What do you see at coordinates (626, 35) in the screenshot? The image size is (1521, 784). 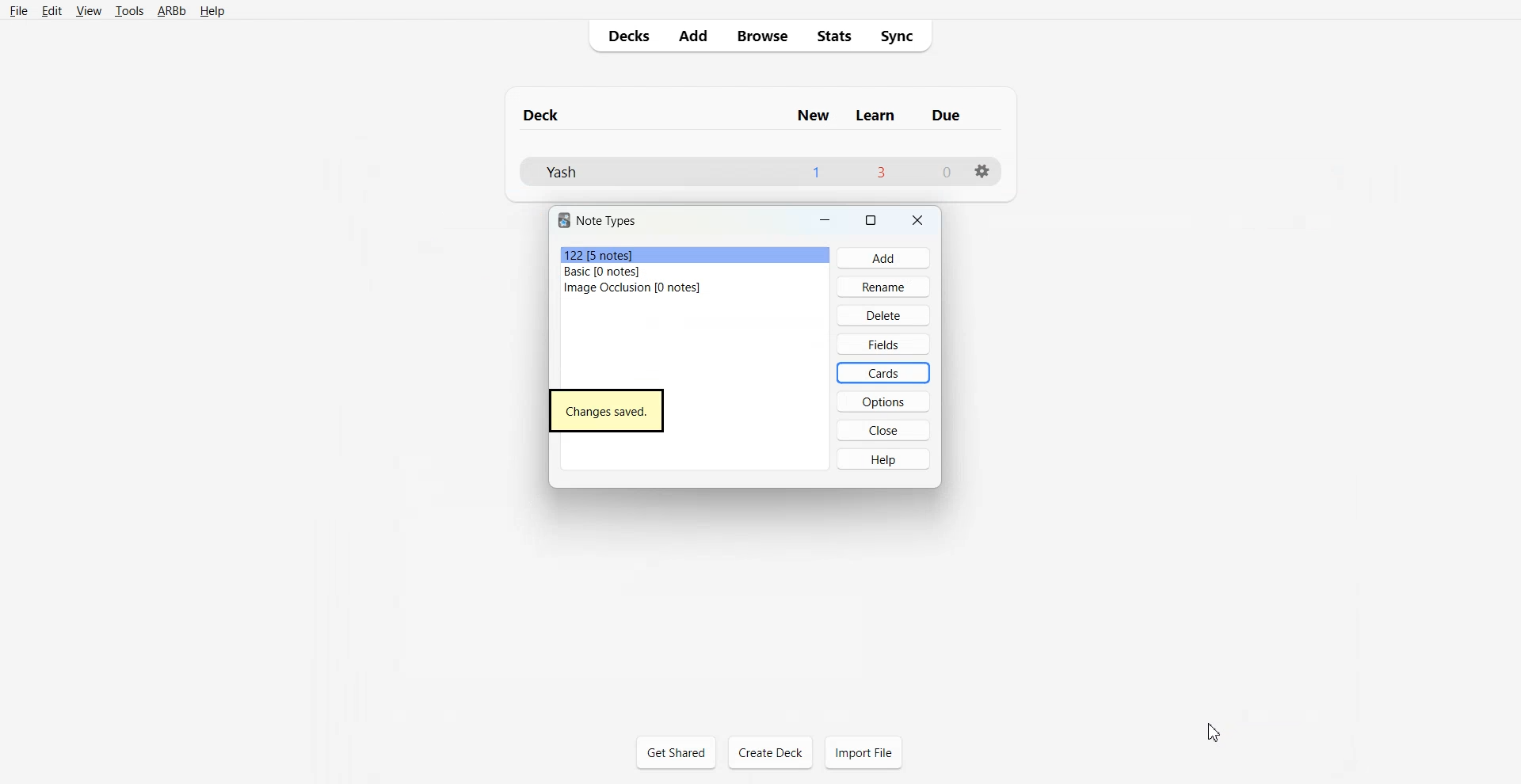 I see `Decks ` at bounding box center [626, 35].